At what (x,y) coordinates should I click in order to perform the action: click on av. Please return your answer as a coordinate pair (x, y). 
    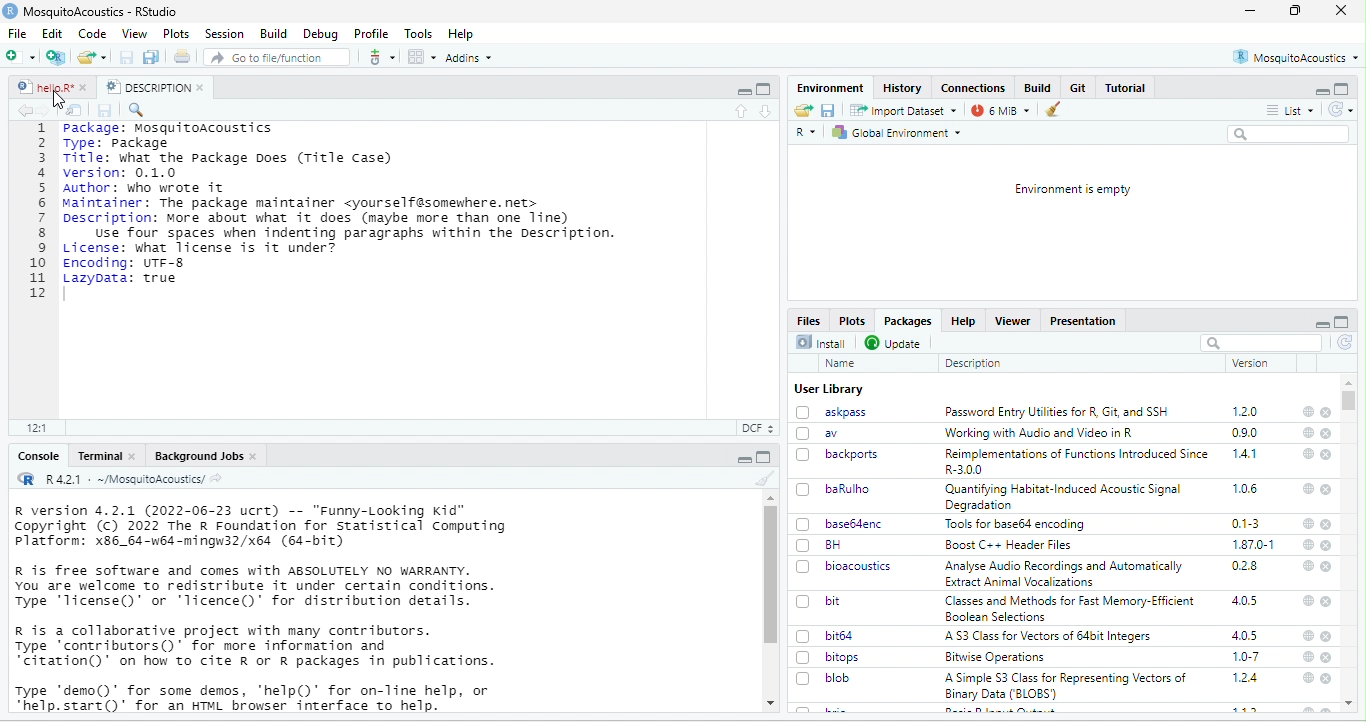
    Looking at the image, I should click on (824, 433).